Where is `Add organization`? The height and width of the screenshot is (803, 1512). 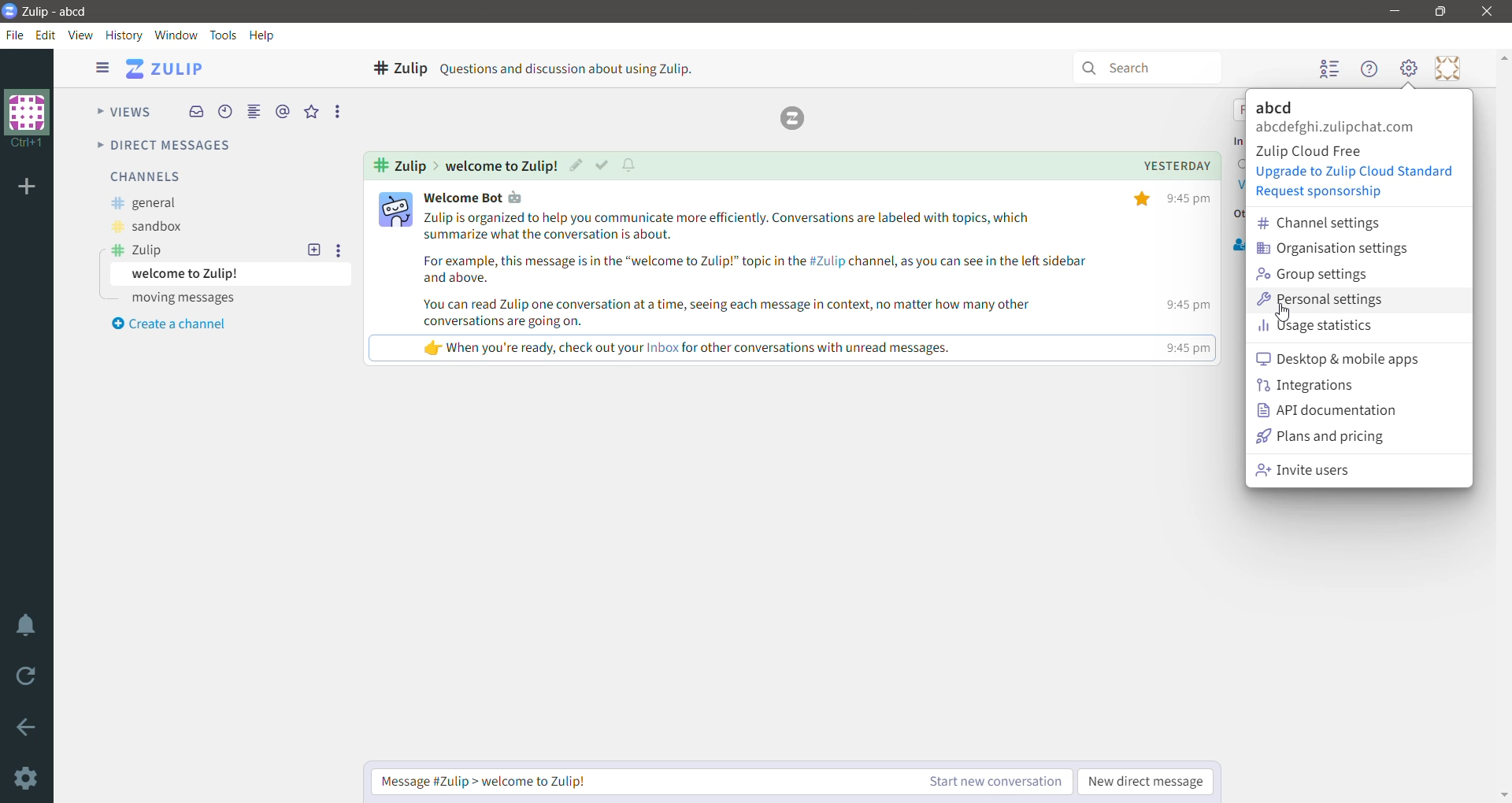 Add organization is located at coordinates (30, 187).